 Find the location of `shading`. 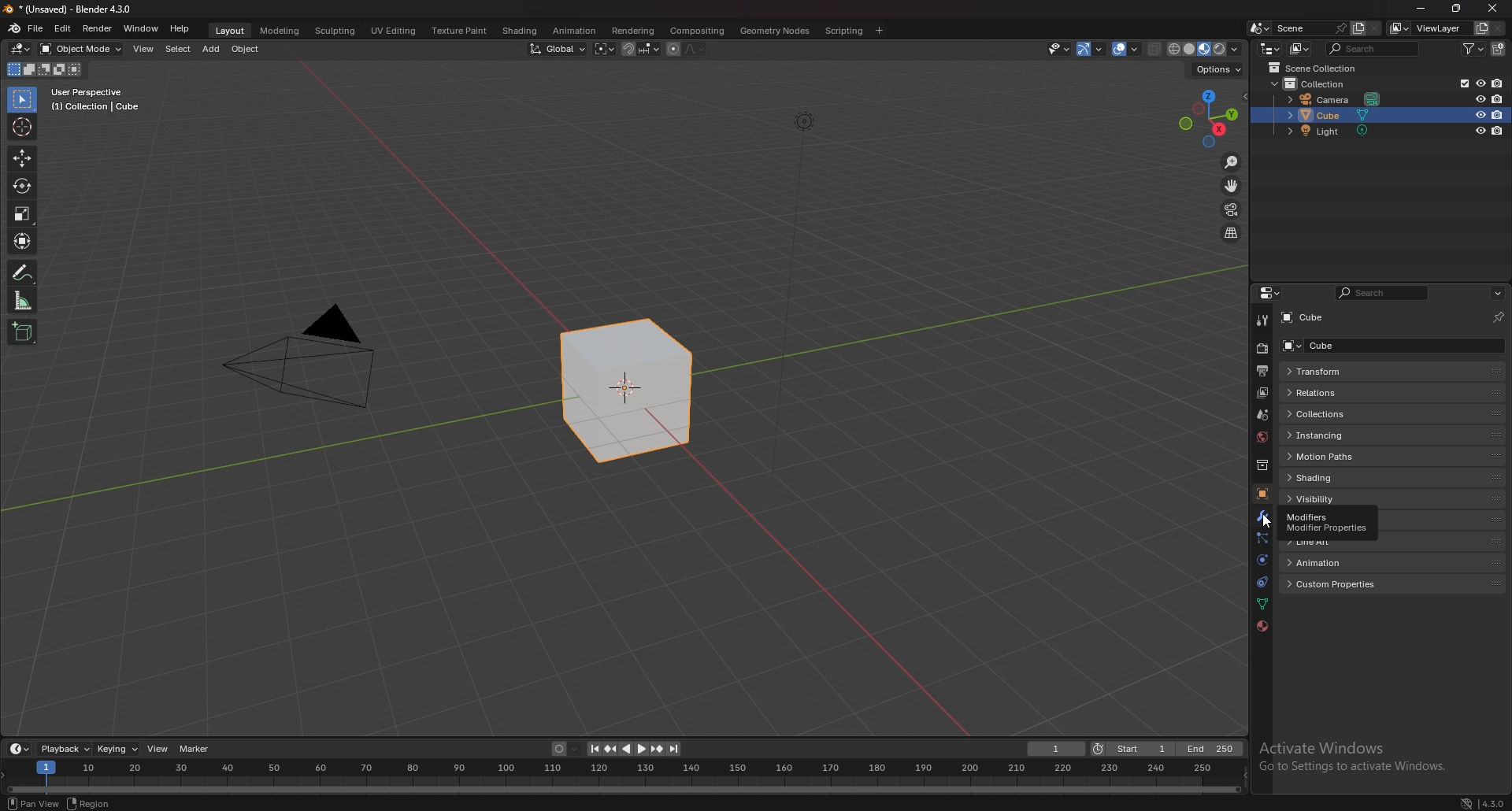

shading is located at coordinates (522, 30).